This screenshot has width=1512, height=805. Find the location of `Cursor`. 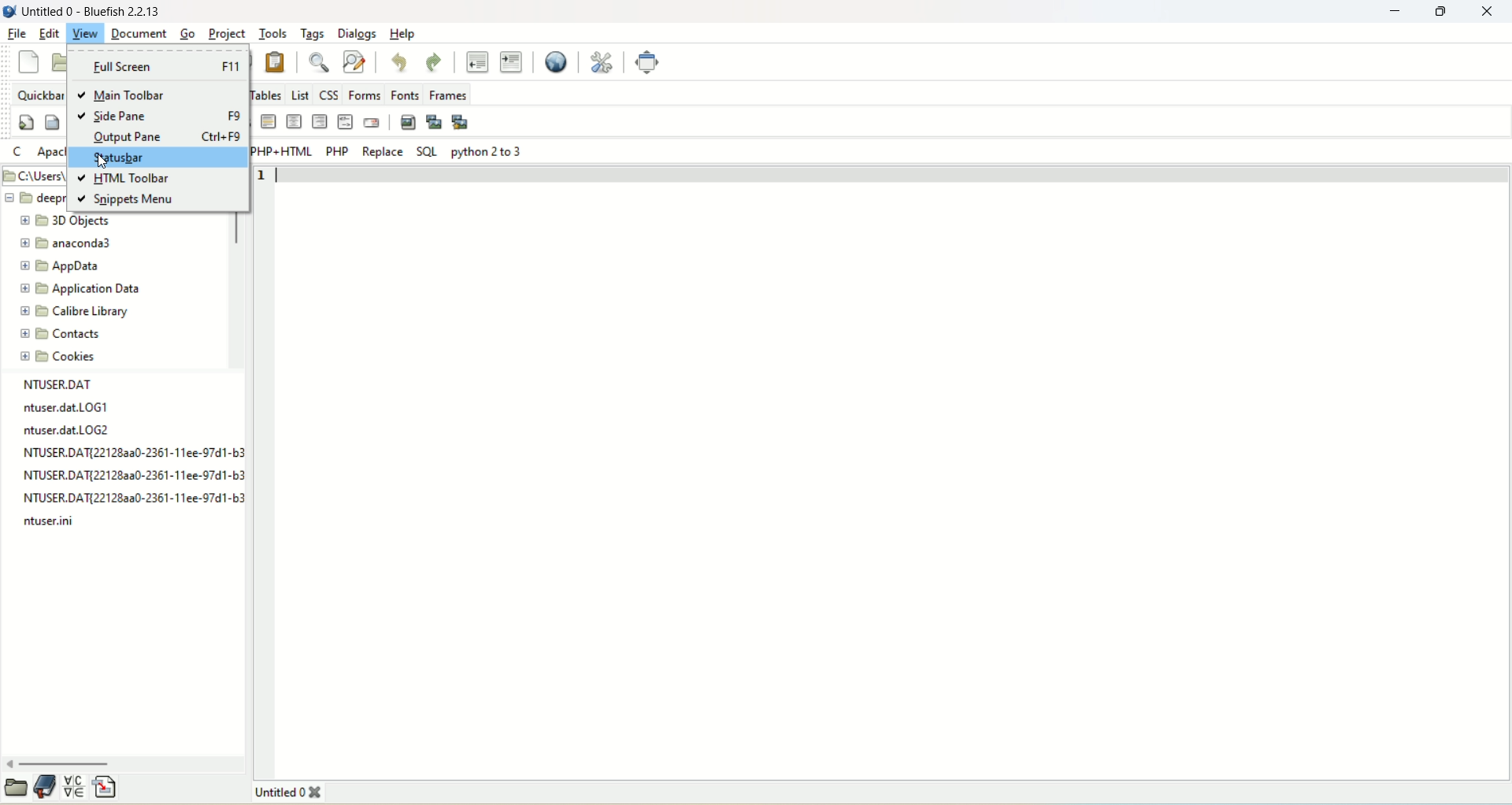

Cursor is located at coordinates (103, 161).